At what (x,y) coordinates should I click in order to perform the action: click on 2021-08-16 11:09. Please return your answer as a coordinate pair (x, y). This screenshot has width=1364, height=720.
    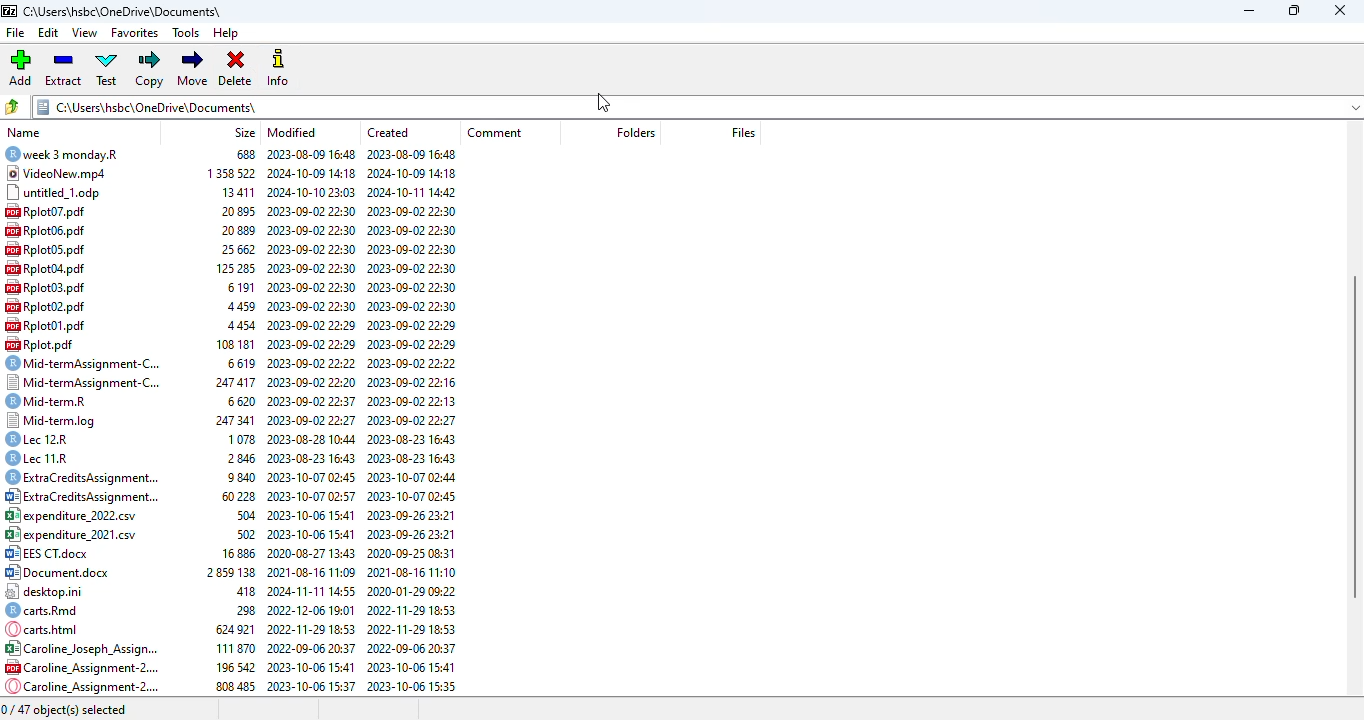
    Looking at the image, I should click on (312, 573).